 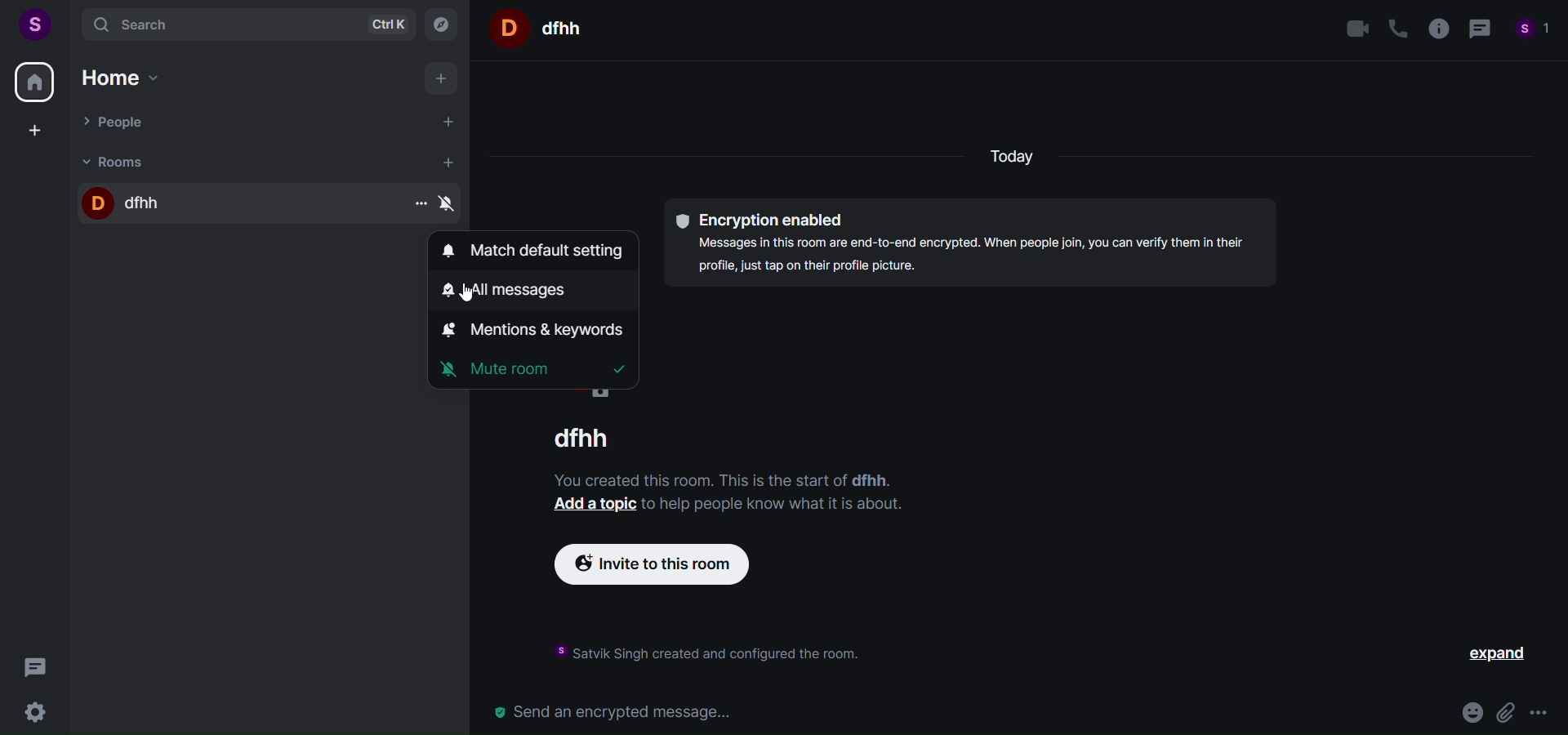 What do you see at coordinates (33, 84) in the screenshot?
I see `home` at bounding box center [33, 84].